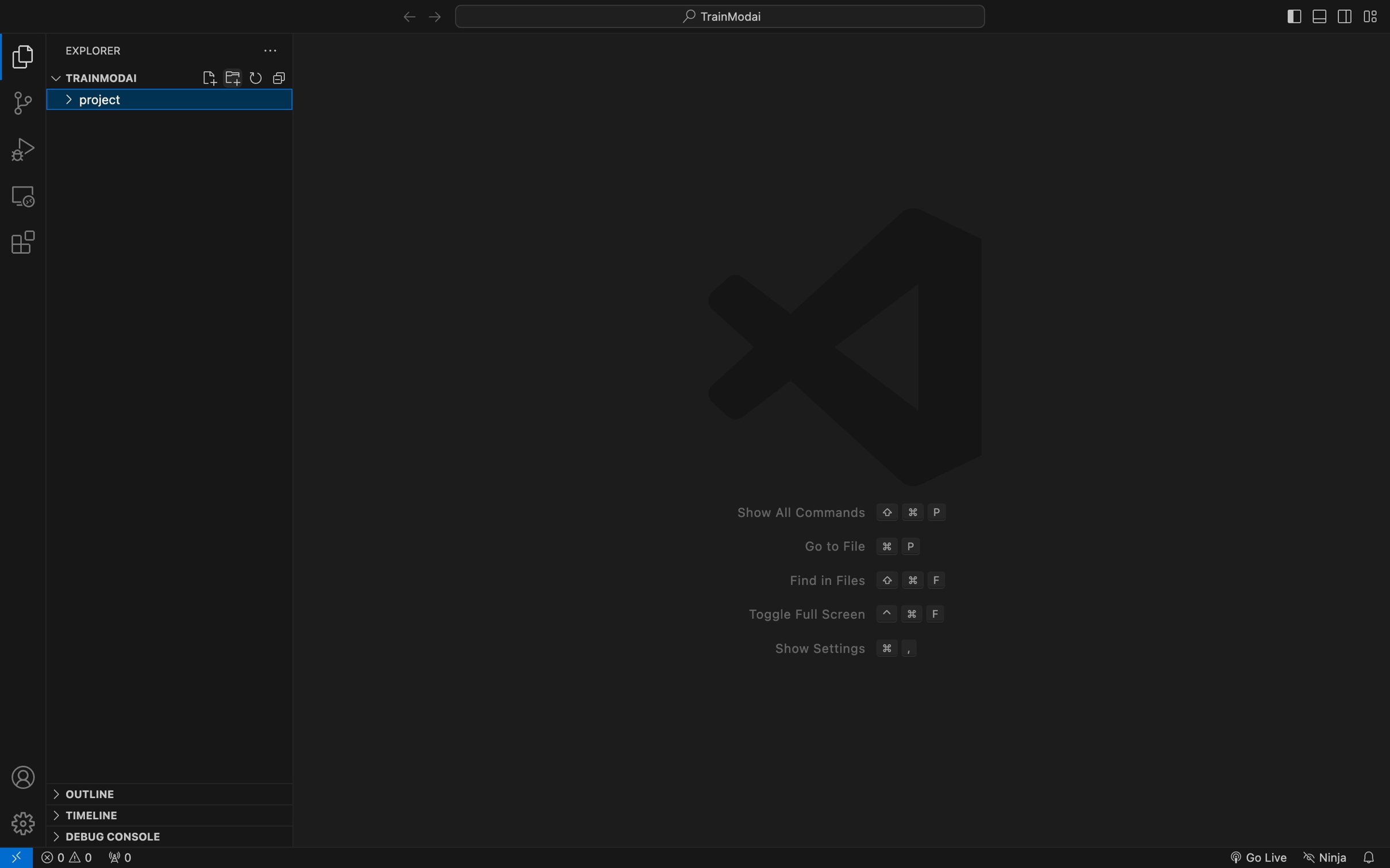 The image size is (1390, 868). Describe the element at coordinates (22, 242) in the screenshot. I see `extensions` at that location.